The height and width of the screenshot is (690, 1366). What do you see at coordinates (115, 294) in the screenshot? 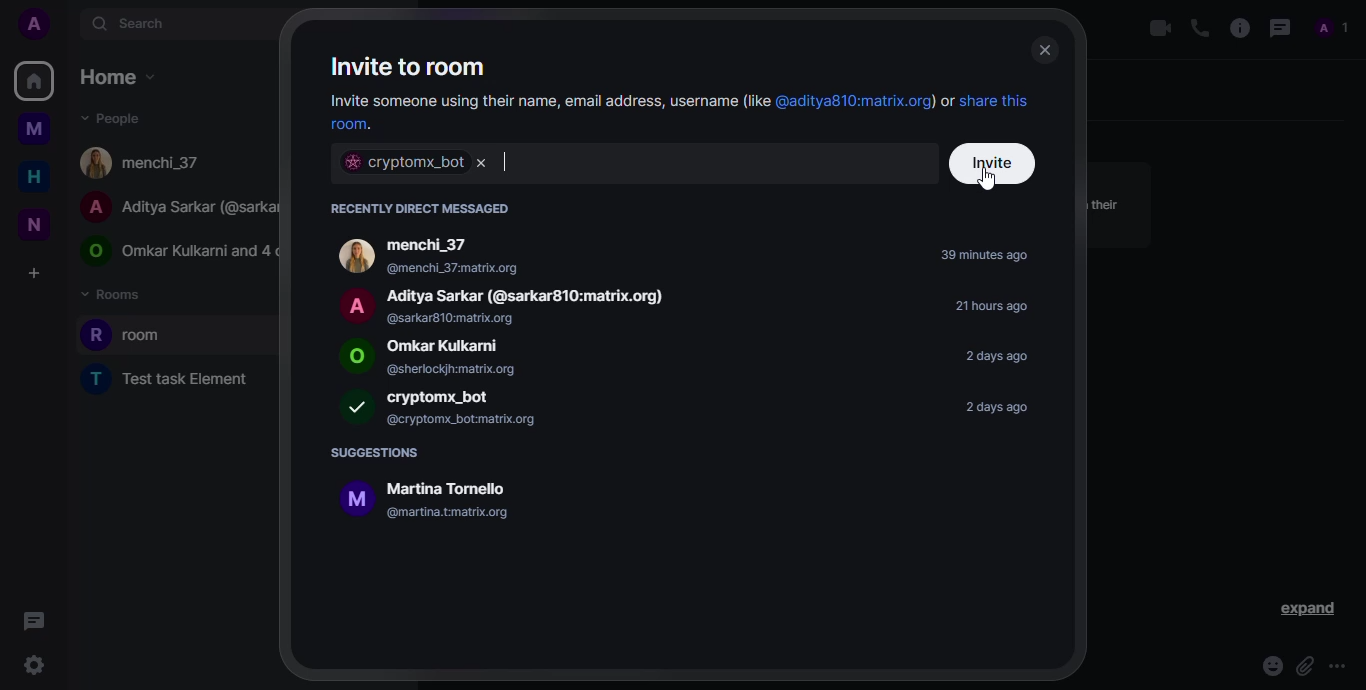
I see `rooms` at bounding box center [115, 294].